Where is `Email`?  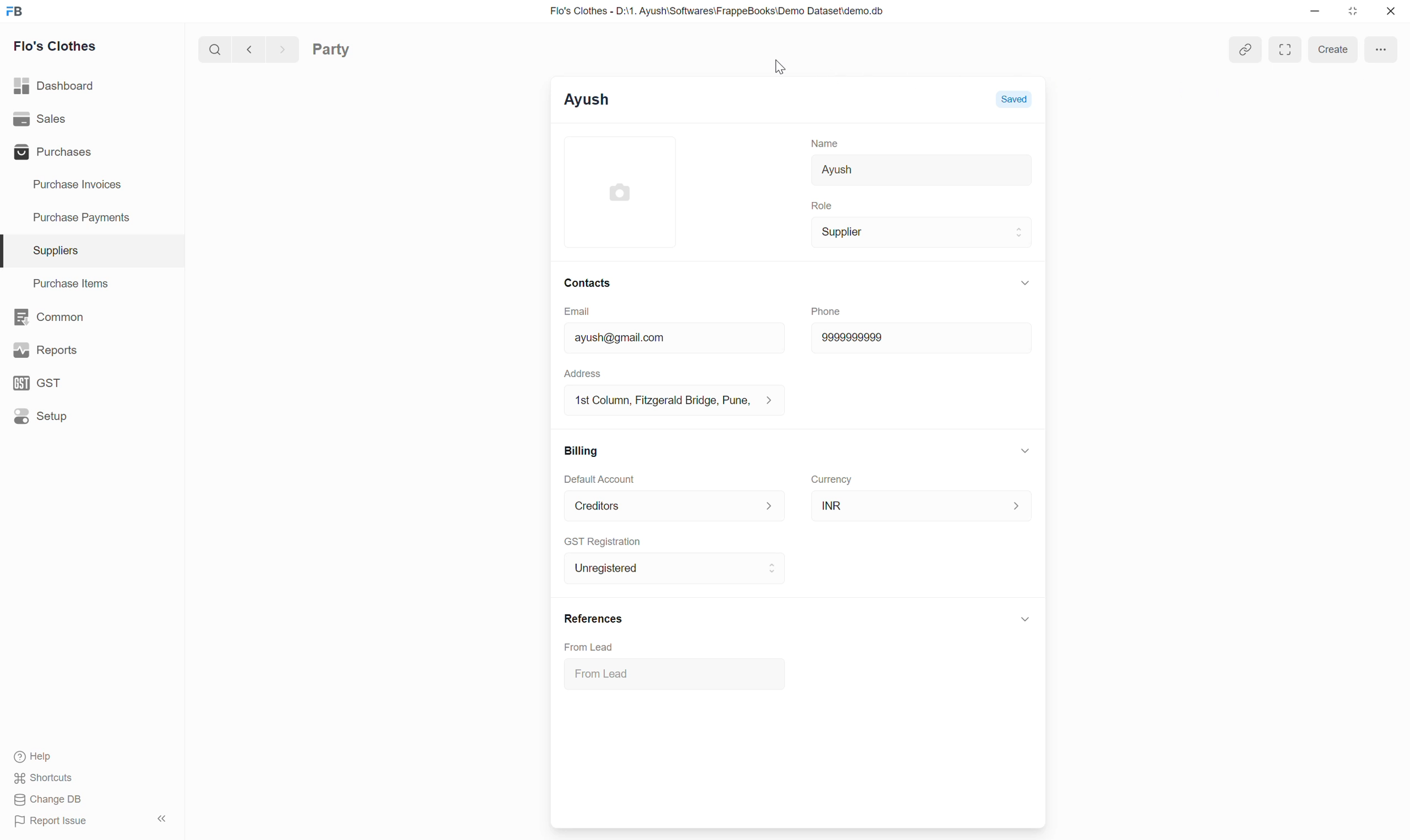
Email is located at coordinates (577, 311).